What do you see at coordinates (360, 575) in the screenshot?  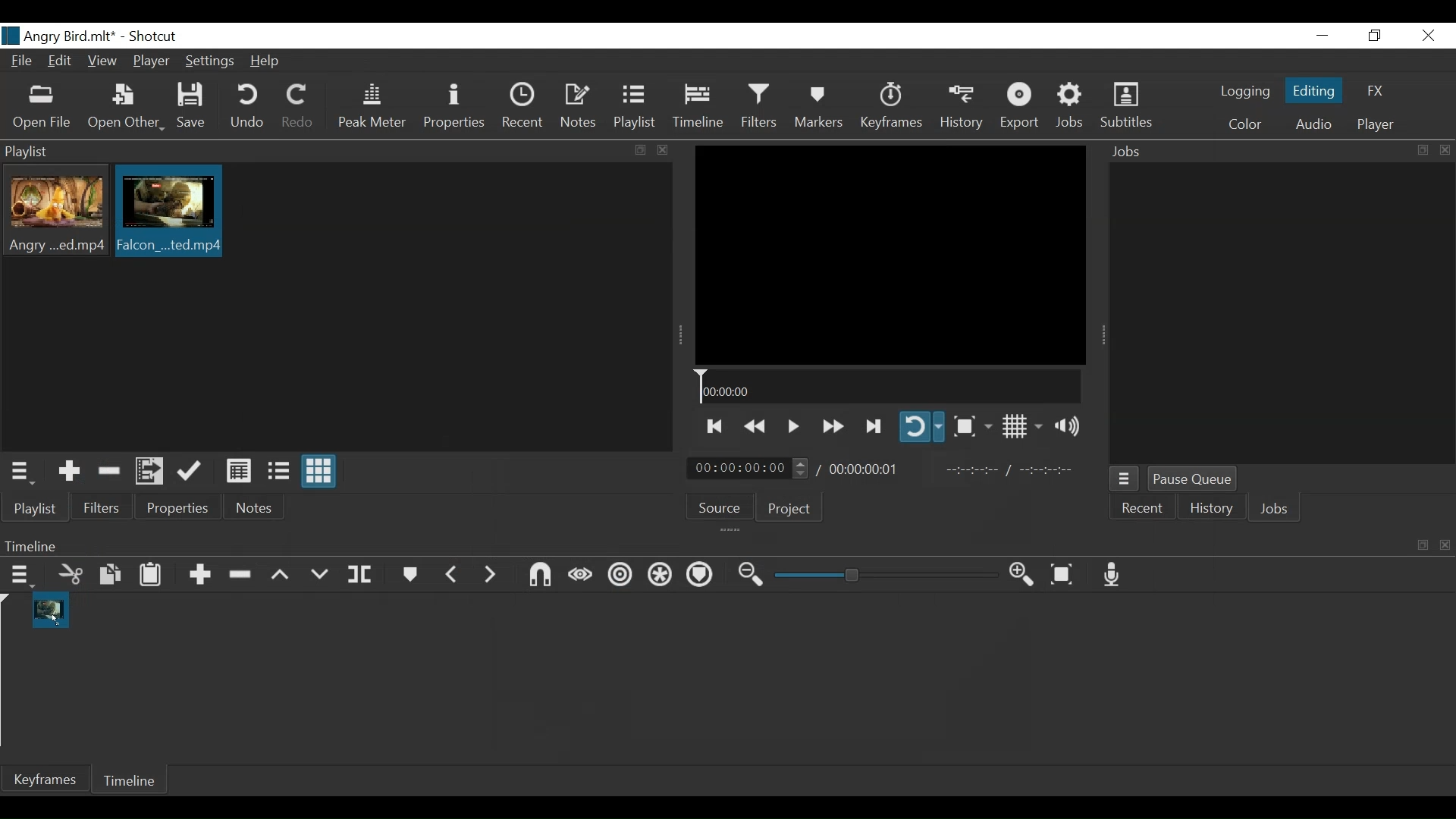 I see `Split at playhead` at bounding box center [360, 575].